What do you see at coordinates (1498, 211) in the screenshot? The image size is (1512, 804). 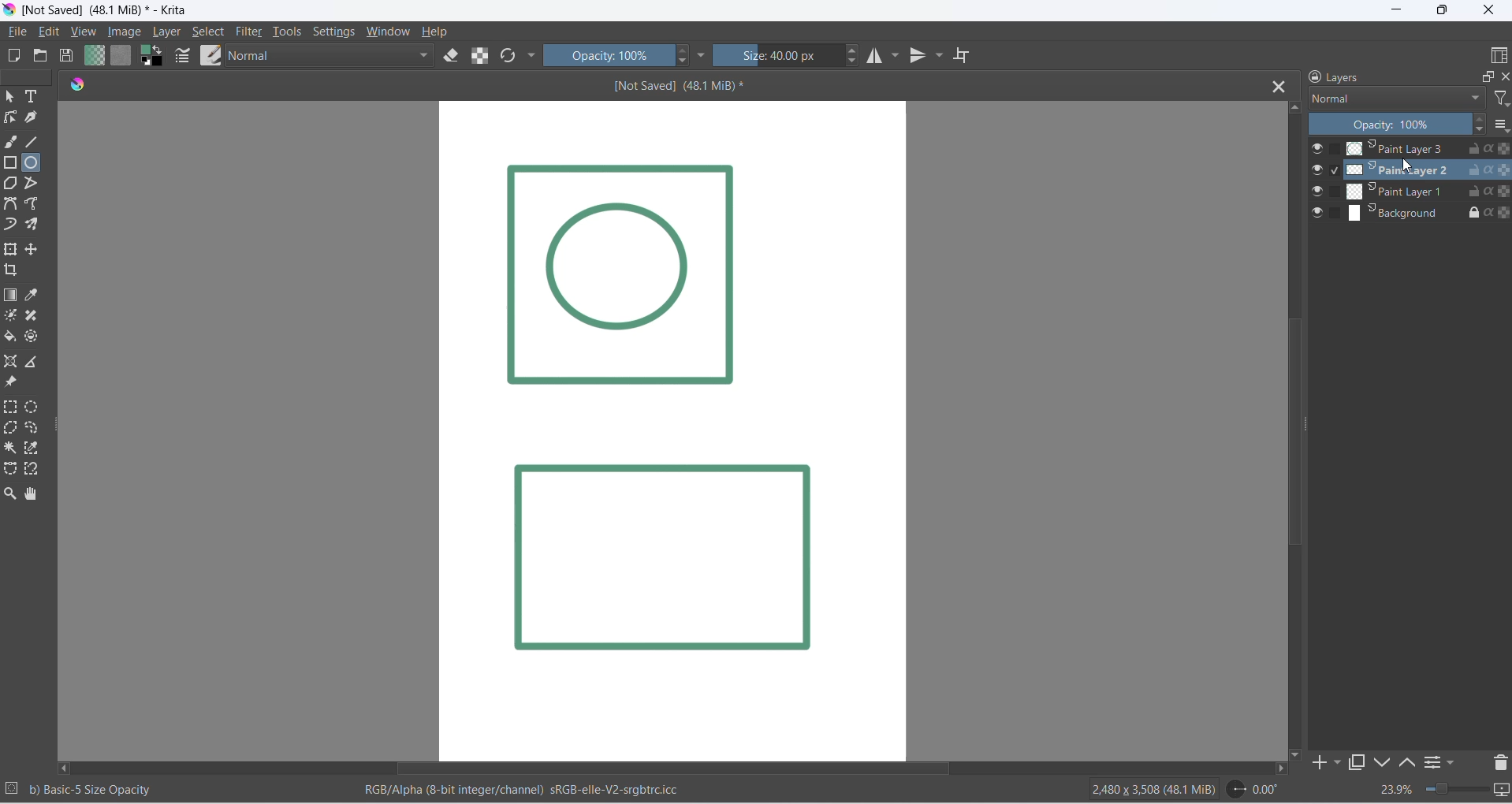 I see `preserve alpha` at bounding box center [1498, 211].